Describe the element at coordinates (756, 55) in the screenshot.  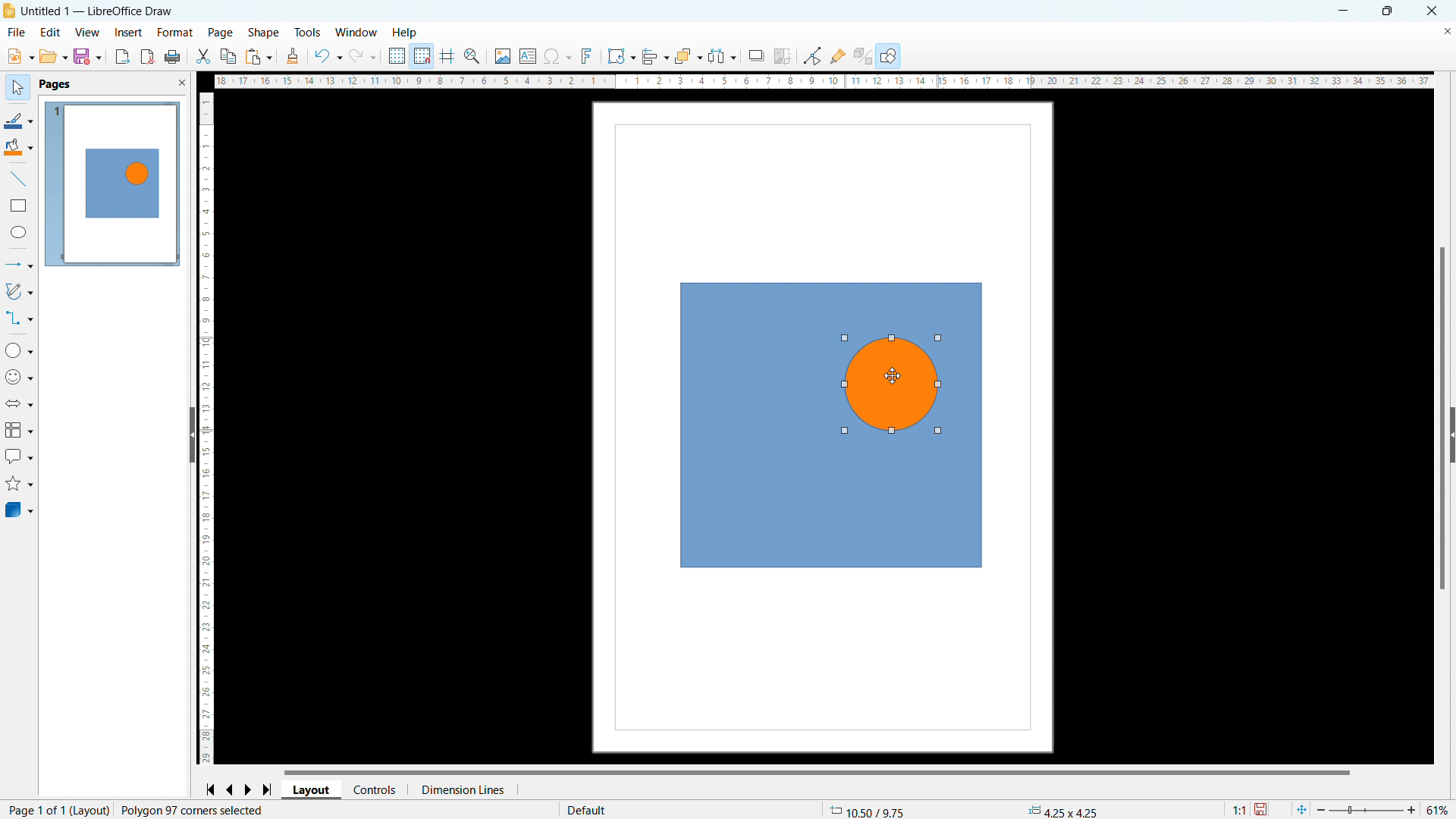
I see `shadow` at that location.